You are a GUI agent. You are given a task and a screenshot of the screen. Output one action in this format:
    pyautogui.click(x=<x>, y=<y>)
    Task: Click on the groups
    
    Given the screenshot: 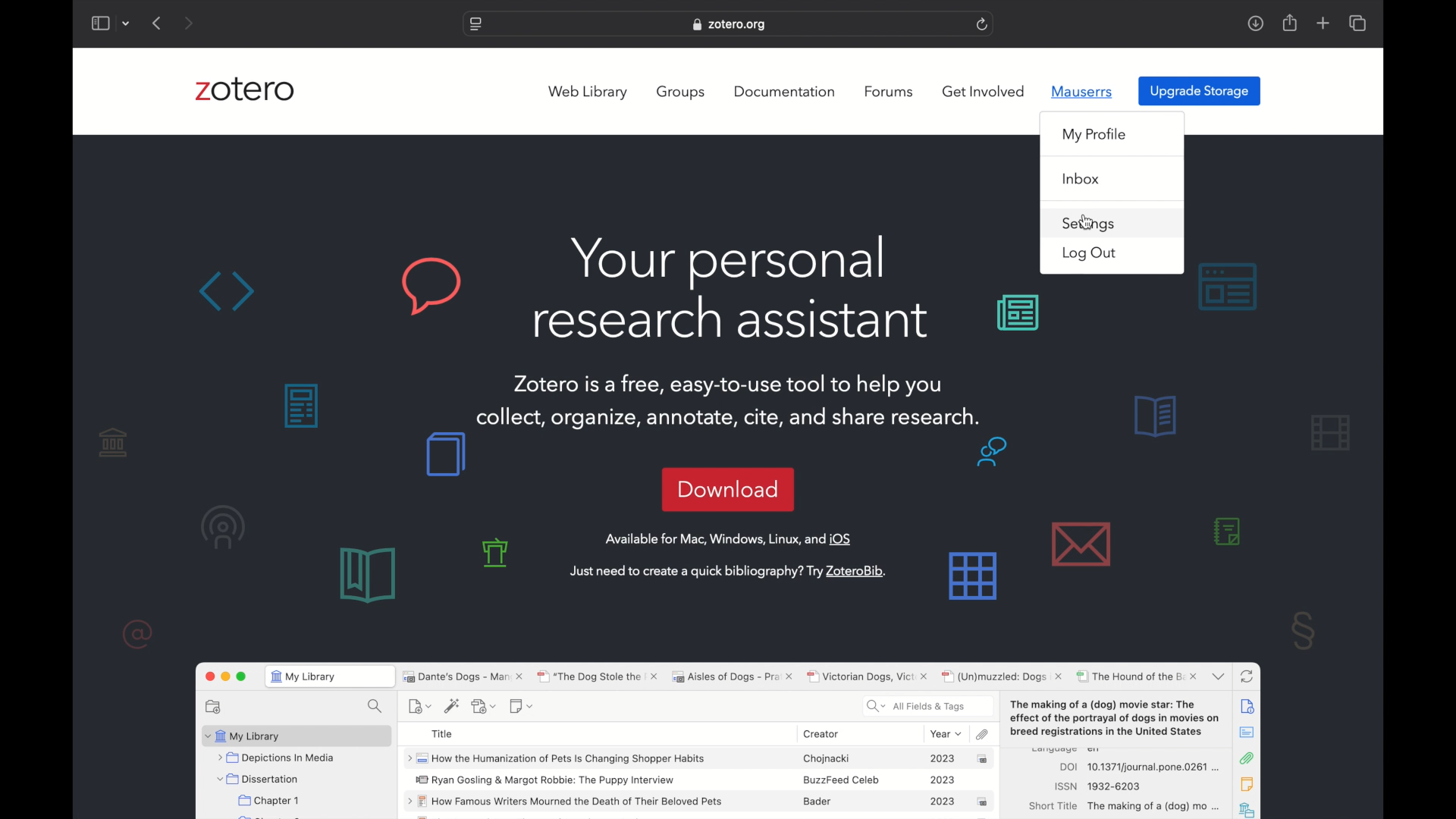 What is the action you would take?
    pyautogui.click(x=682, y=92)
    